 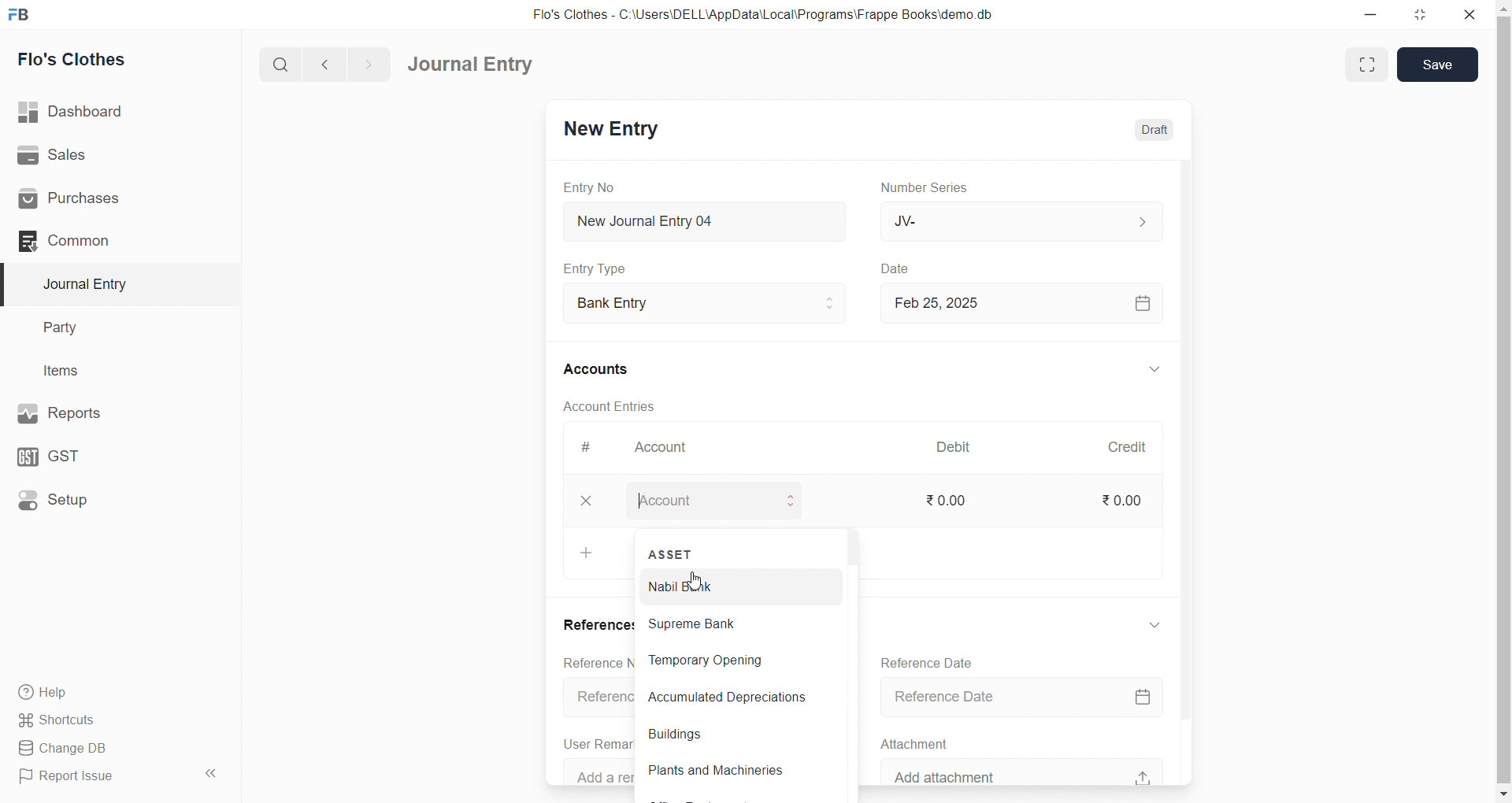 What do you see at coordinates (771, 16) in the screenshot?
I see `Flo's Clothes - C:\Users\DELL\AppData\Local\Programs\Frappe Books\demo.db` at bounding box center [771, 16].